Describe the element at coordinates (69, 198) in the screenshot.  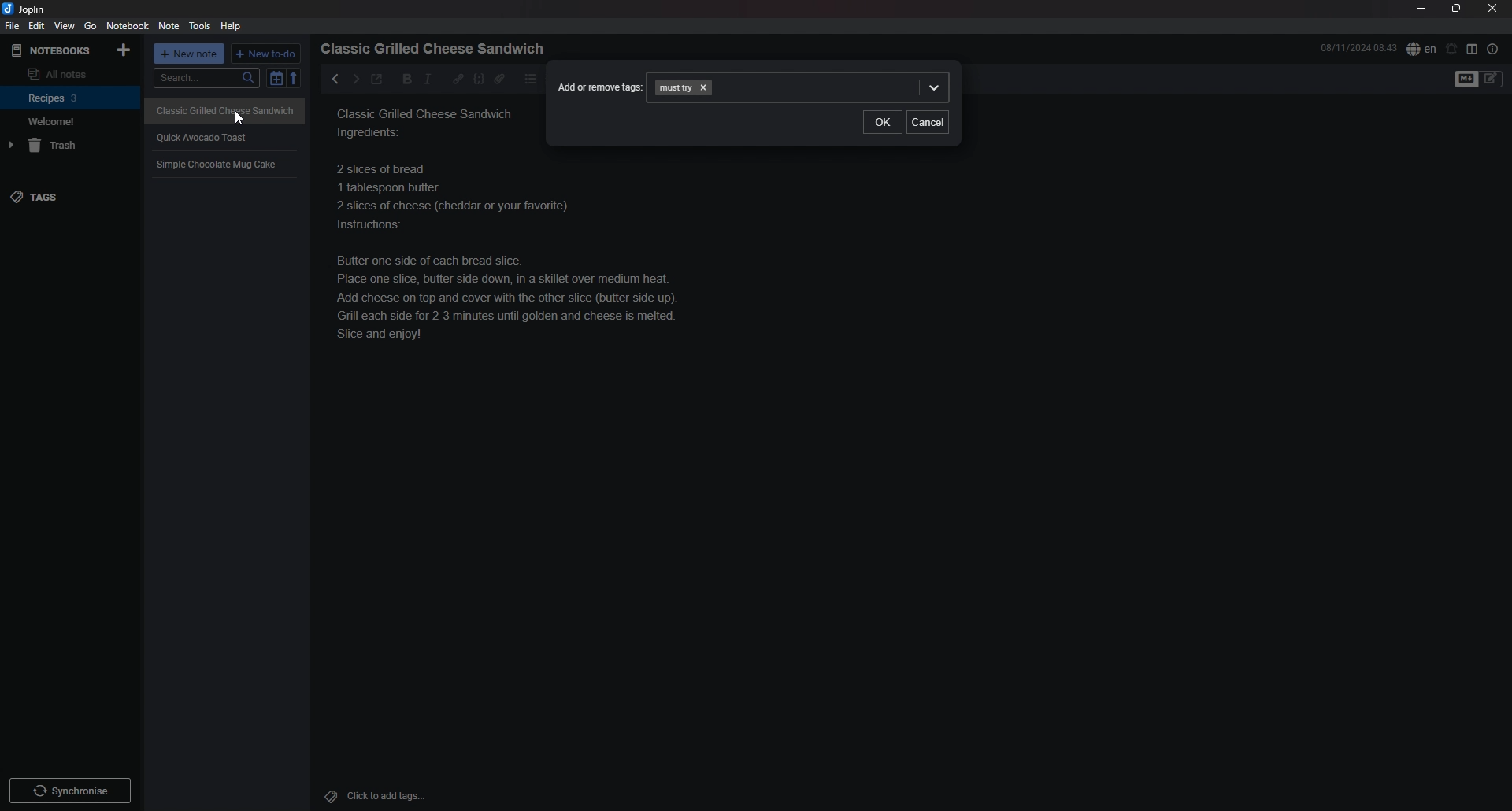
I see `tags` at that location.